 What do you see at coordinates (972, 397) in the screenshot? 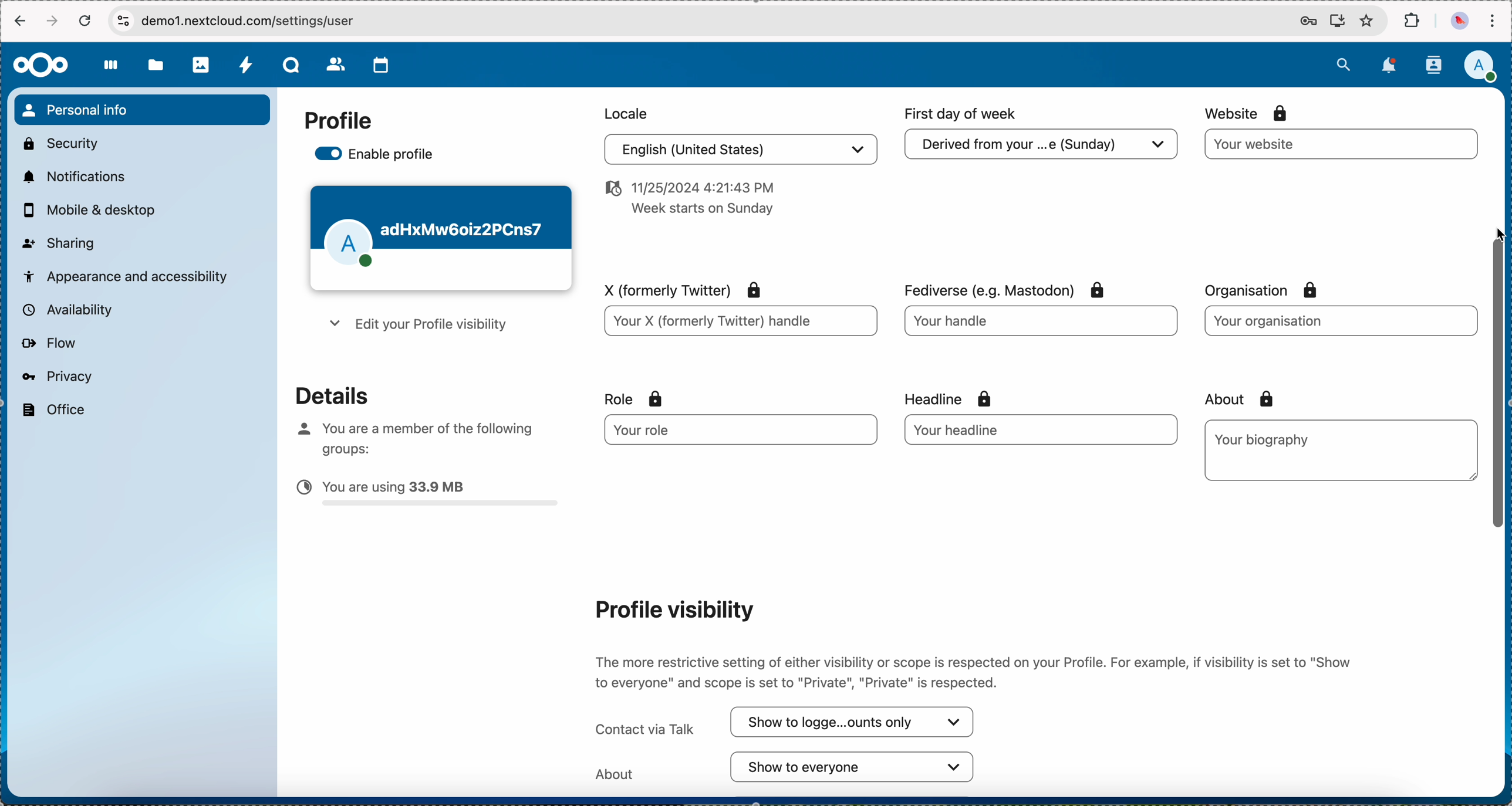
I see `headline` at bounding box center [972, 397].